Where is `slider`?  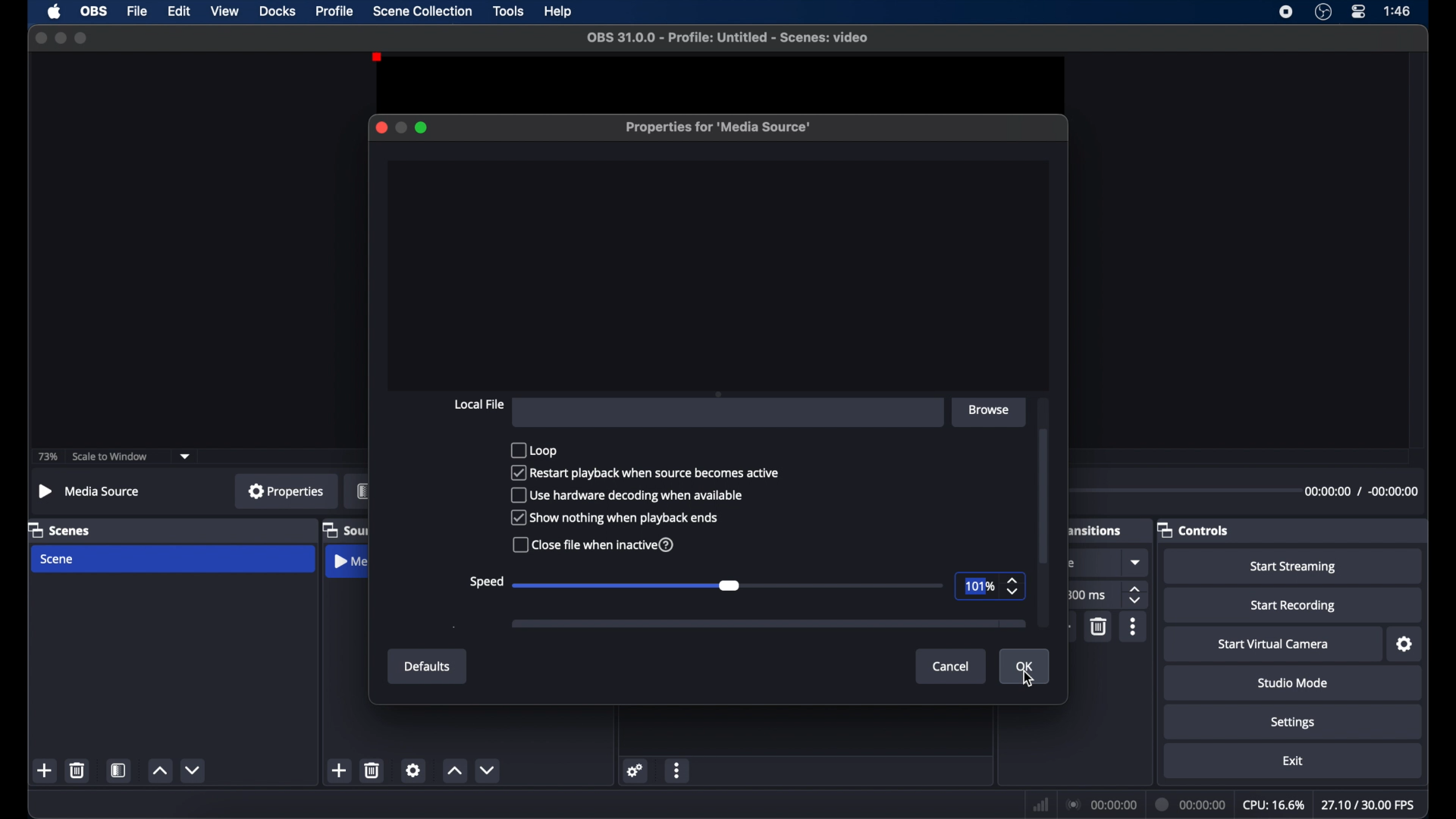
slider is located at coordinates (727, 584).